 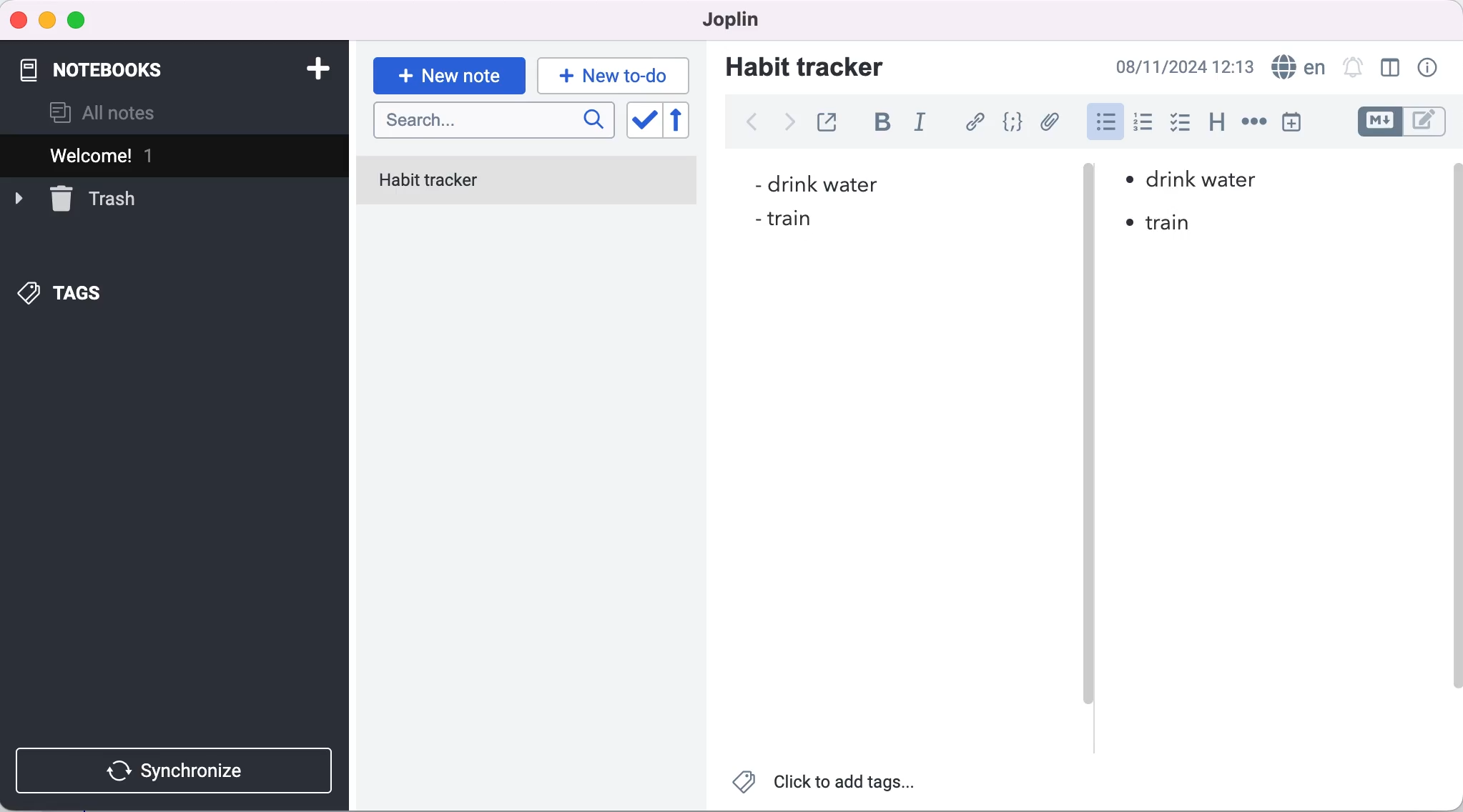 I want to click on code, so click(x=1015, y=122).